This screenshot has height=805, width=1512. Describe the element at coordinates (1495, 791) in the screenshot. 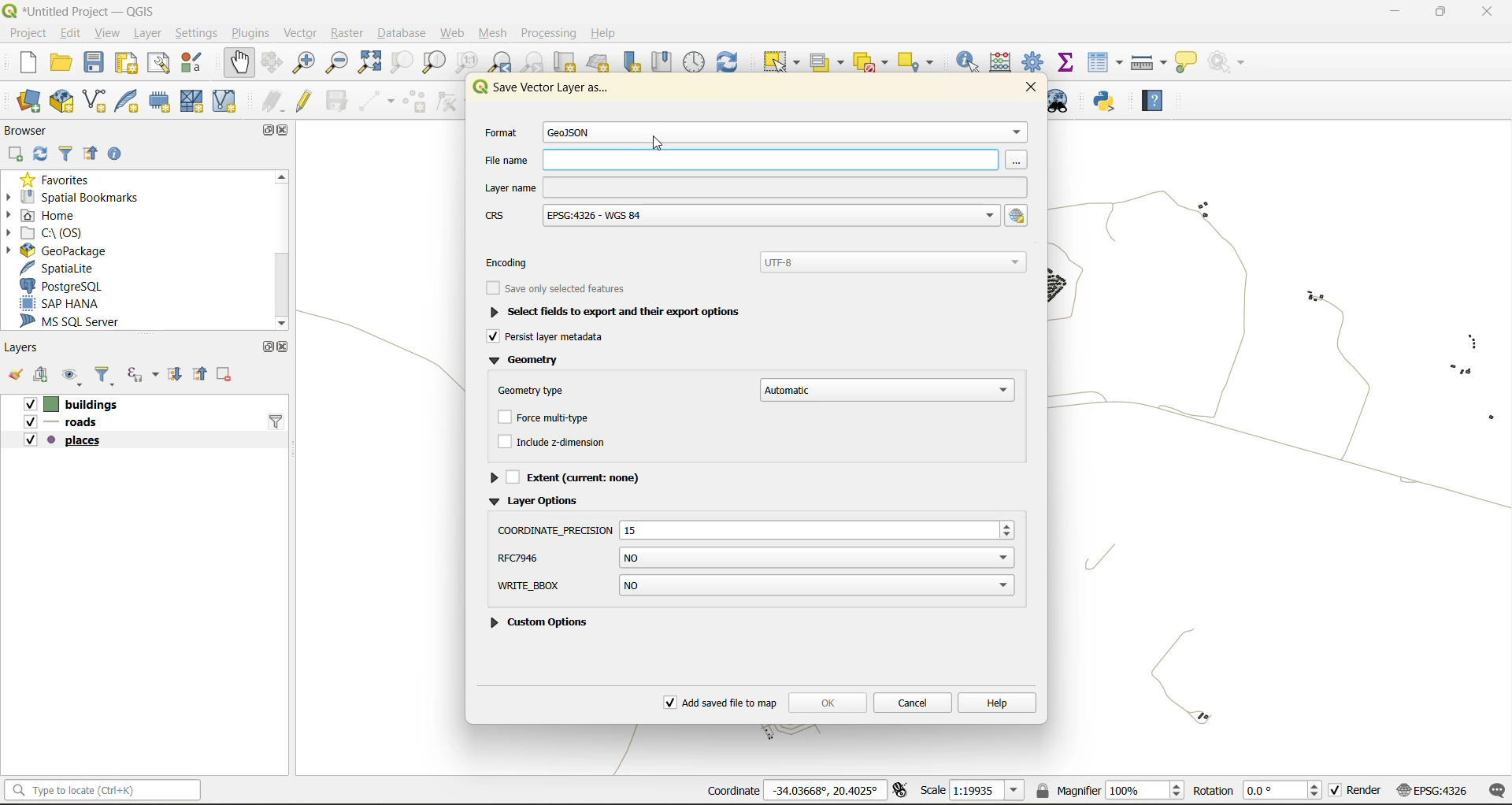

I see `log messages` at that location.